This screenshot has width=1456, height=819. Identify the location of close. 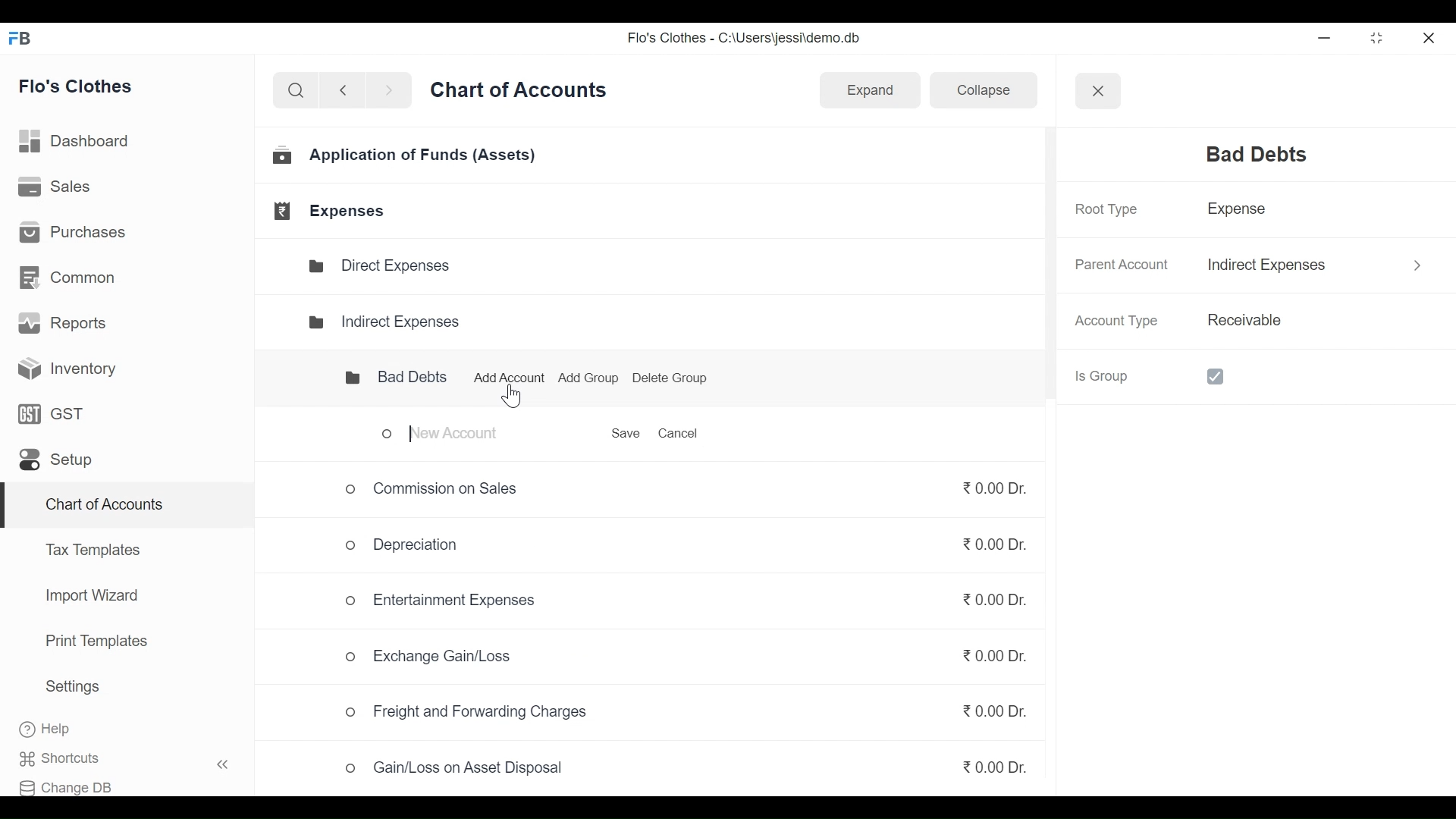
(1430, 36).